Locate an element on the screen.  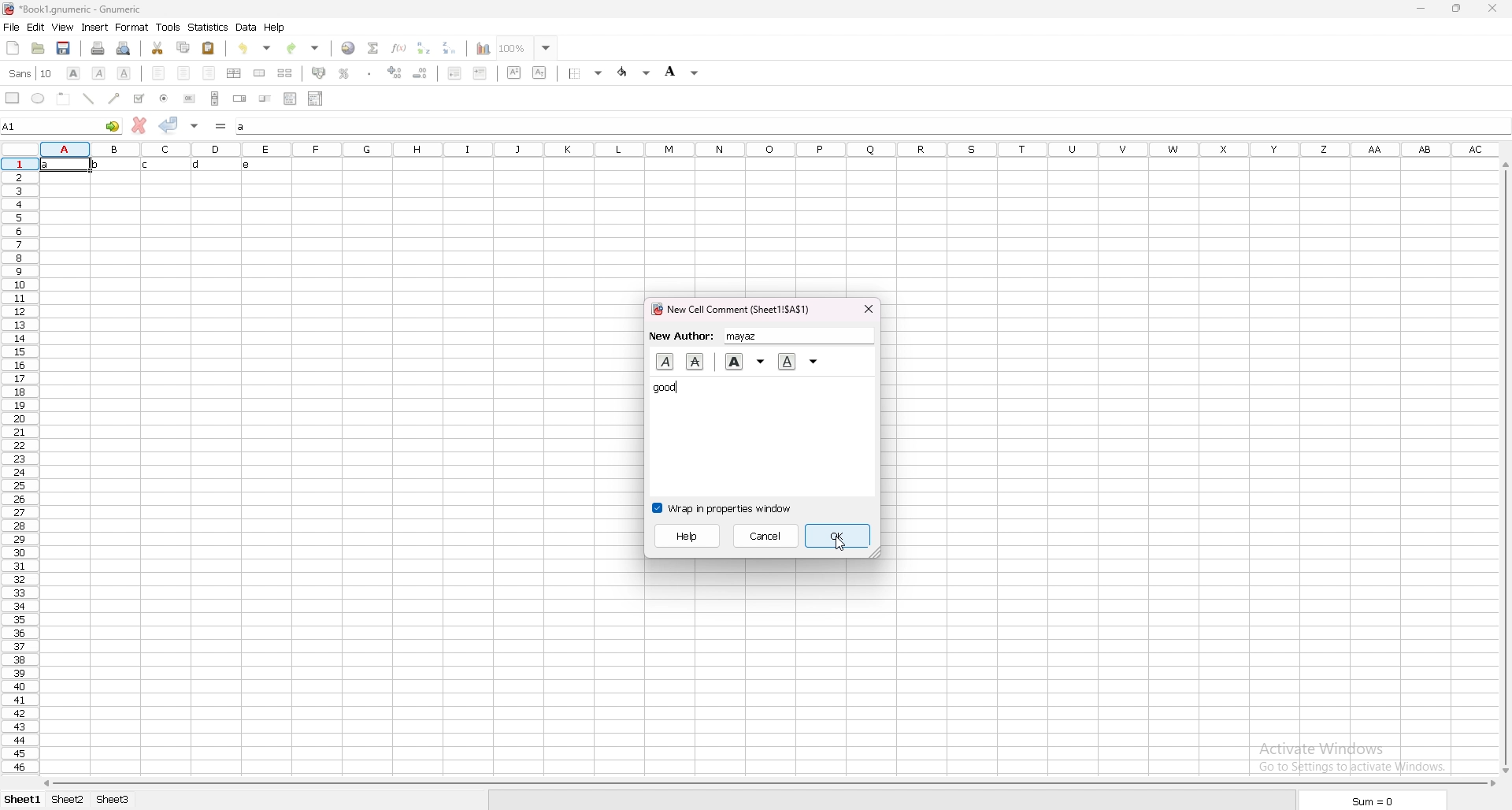
new is located at coordinates (12, 47).